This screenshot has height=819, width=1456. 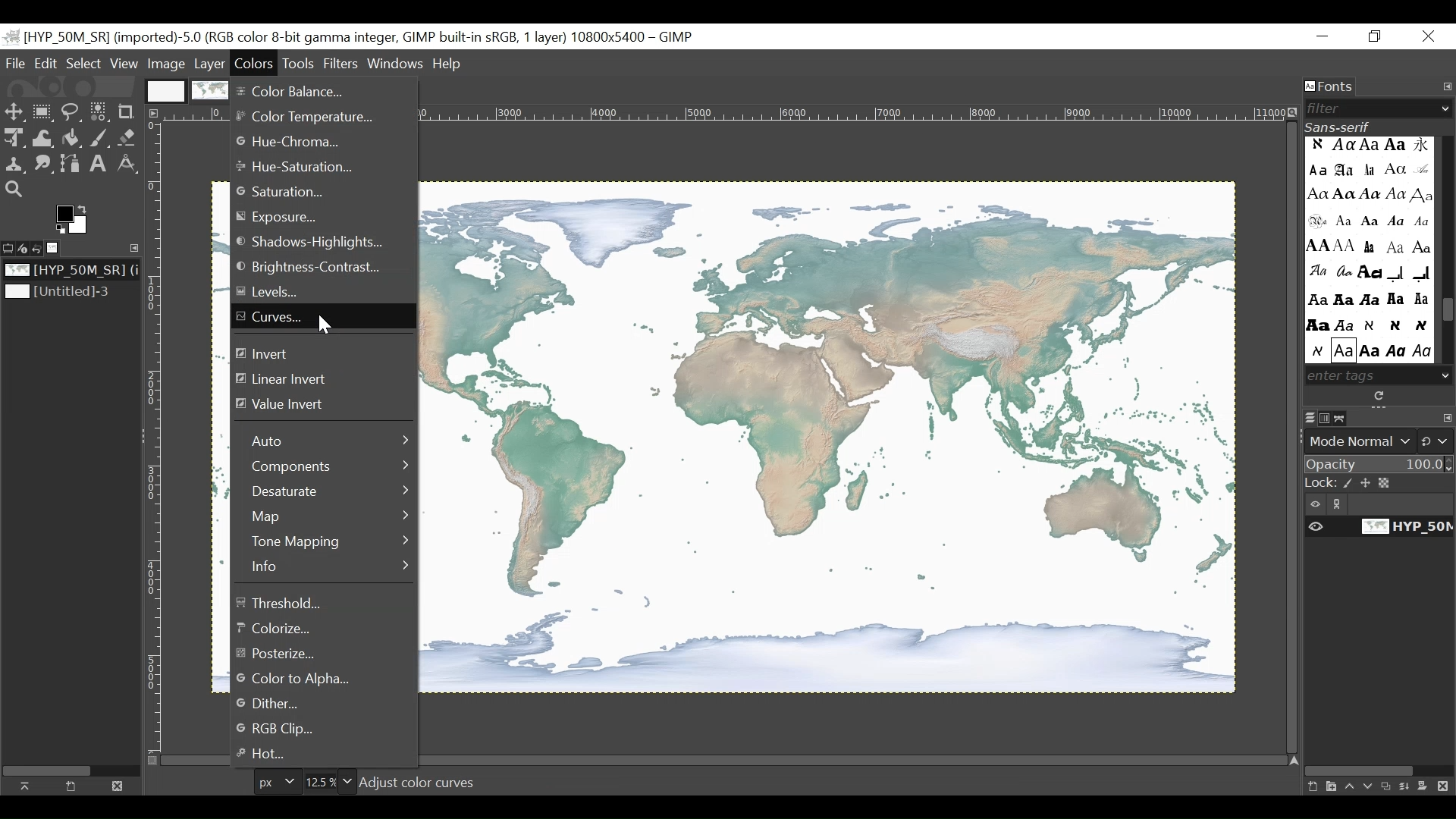 I want to click on , so click(x=210, y=64).